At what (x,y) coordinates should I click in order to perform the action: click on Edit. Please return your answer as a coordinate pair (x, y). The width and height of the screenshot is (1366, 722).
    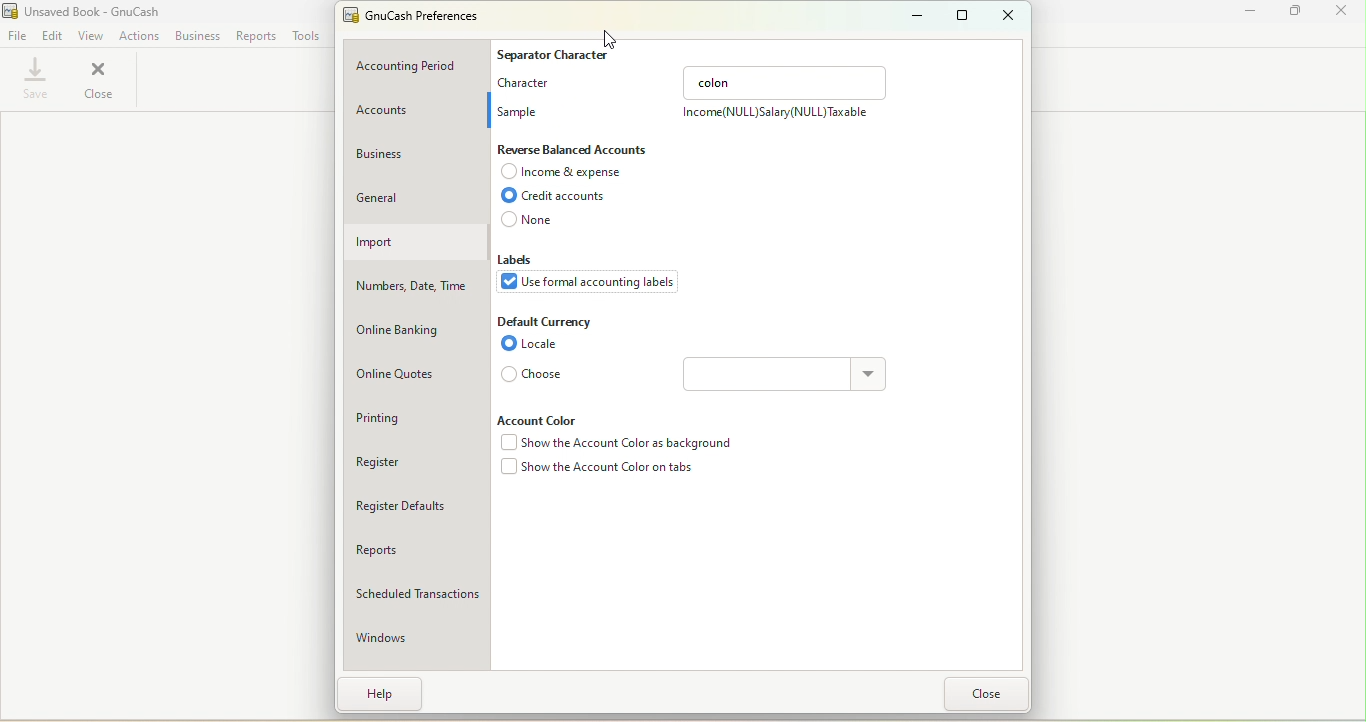
    Looking at the image, I should click on (52, 34).